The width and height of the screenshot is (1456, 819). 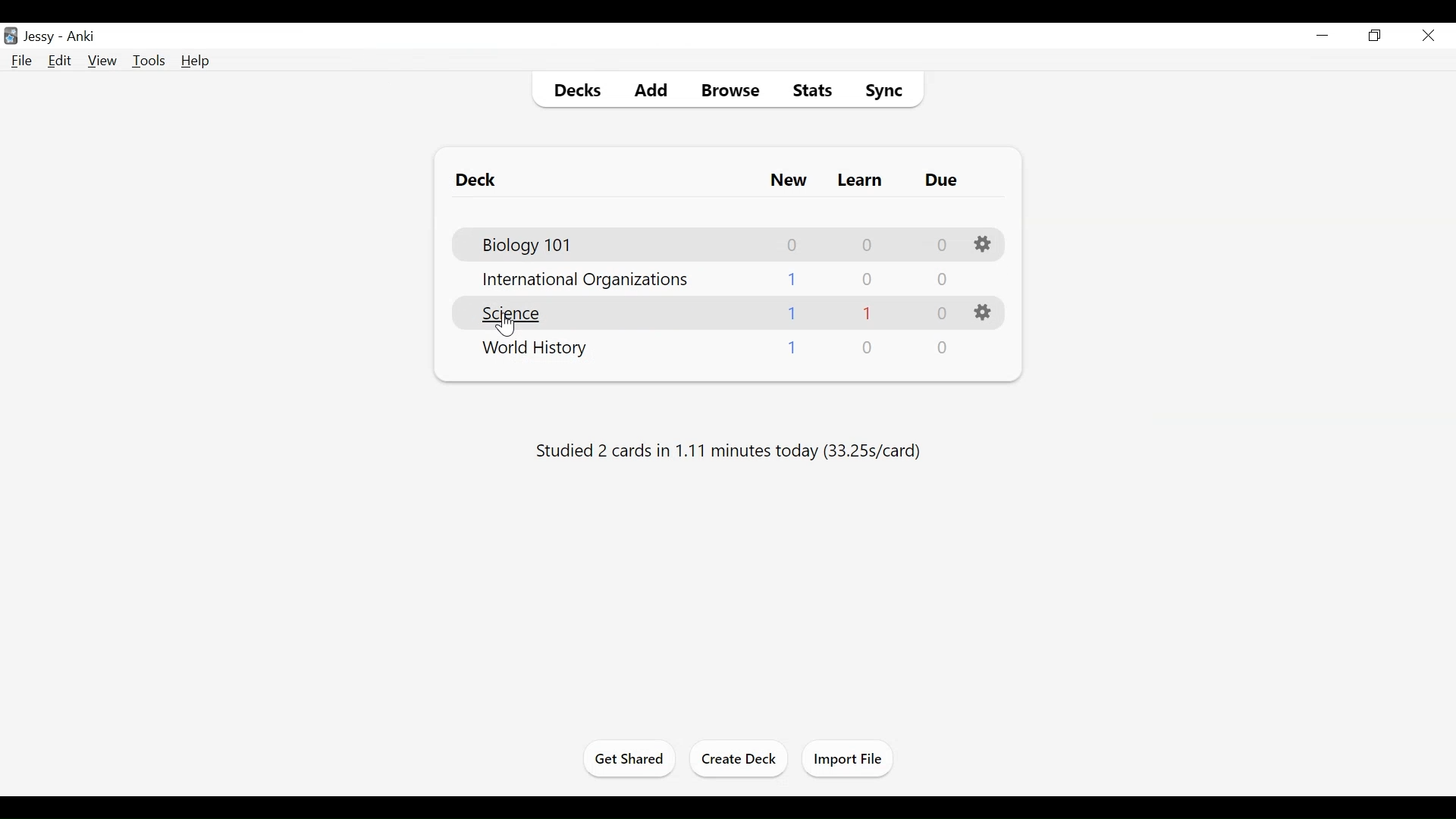 What do you see at coordinates (81, 37) in the screenshot?
I see `Anki` at bounding box center [81, 37].